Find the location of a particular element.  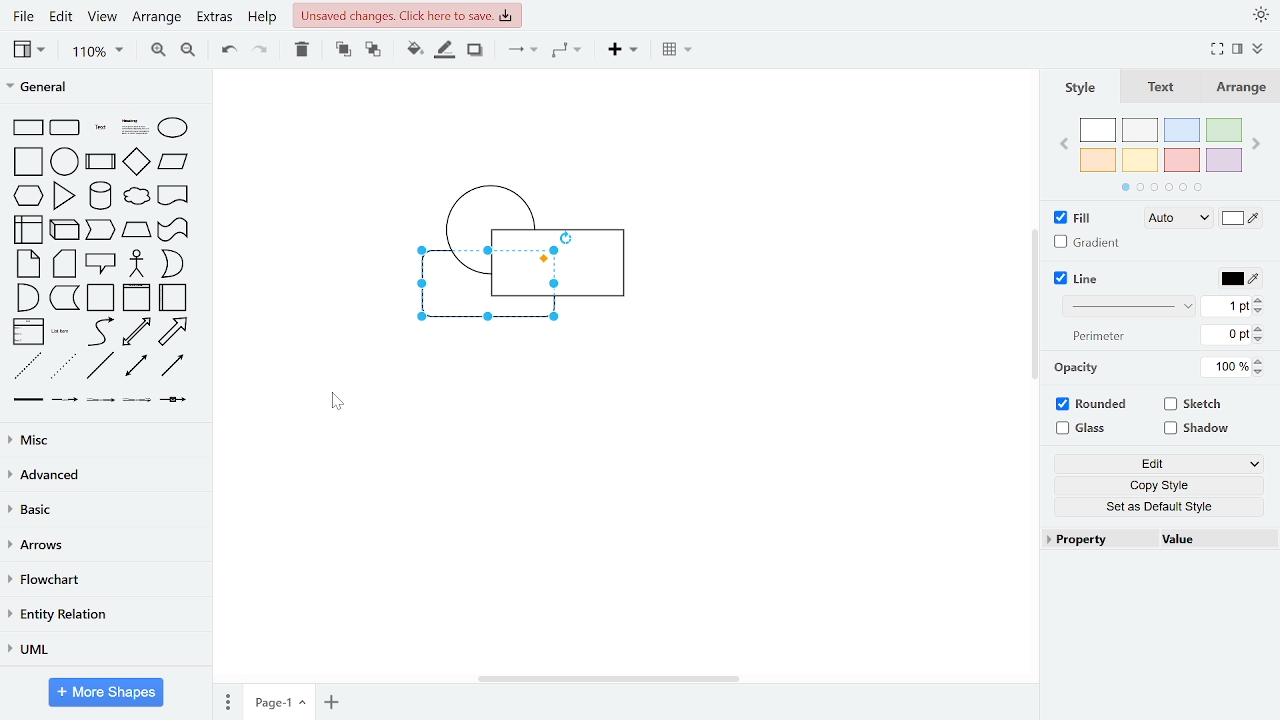

link is located at coordinates (26, 399).